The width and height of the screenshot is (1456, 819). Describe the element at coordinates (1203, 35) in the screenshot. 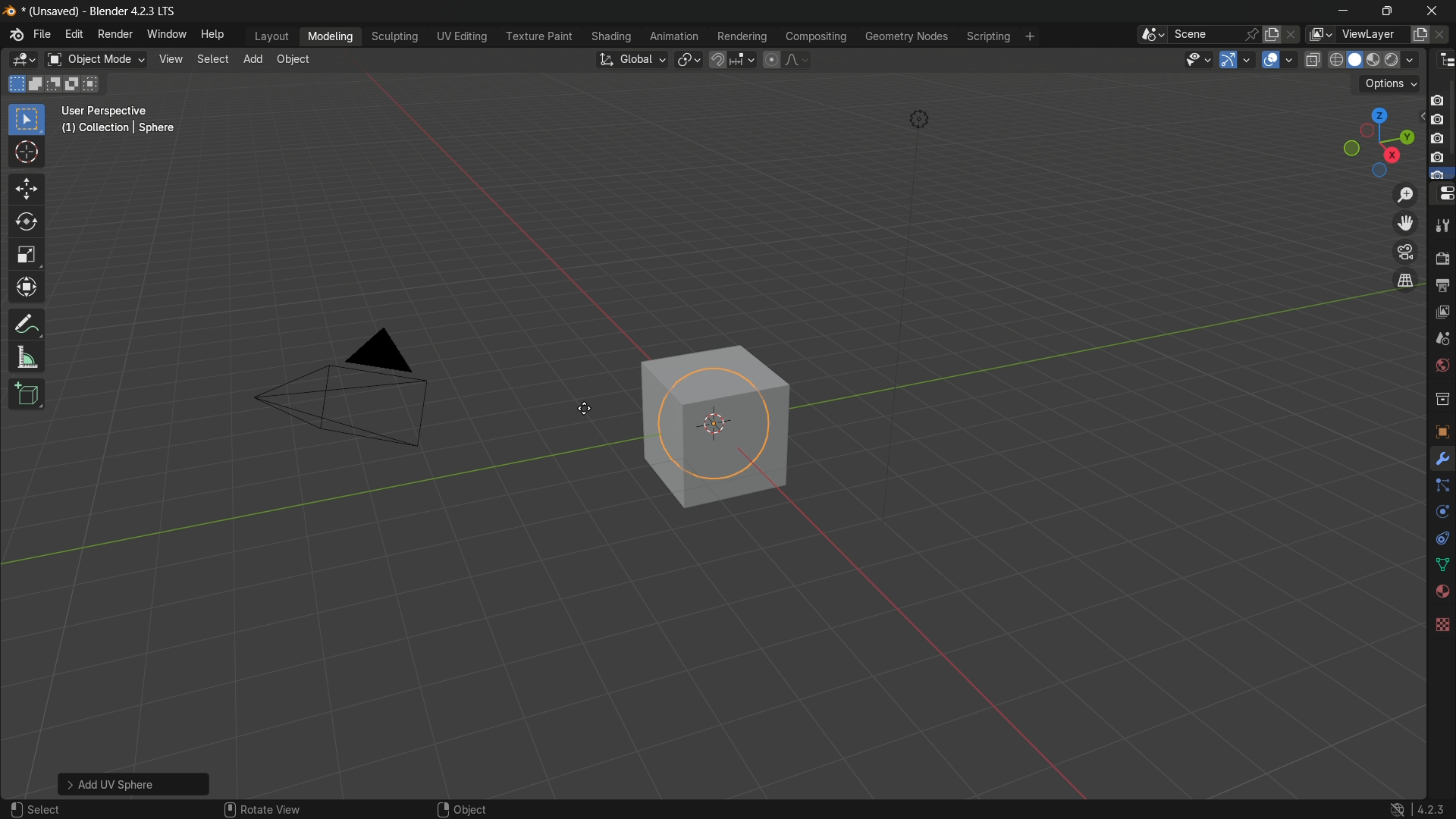

I see `scene name` at that location.